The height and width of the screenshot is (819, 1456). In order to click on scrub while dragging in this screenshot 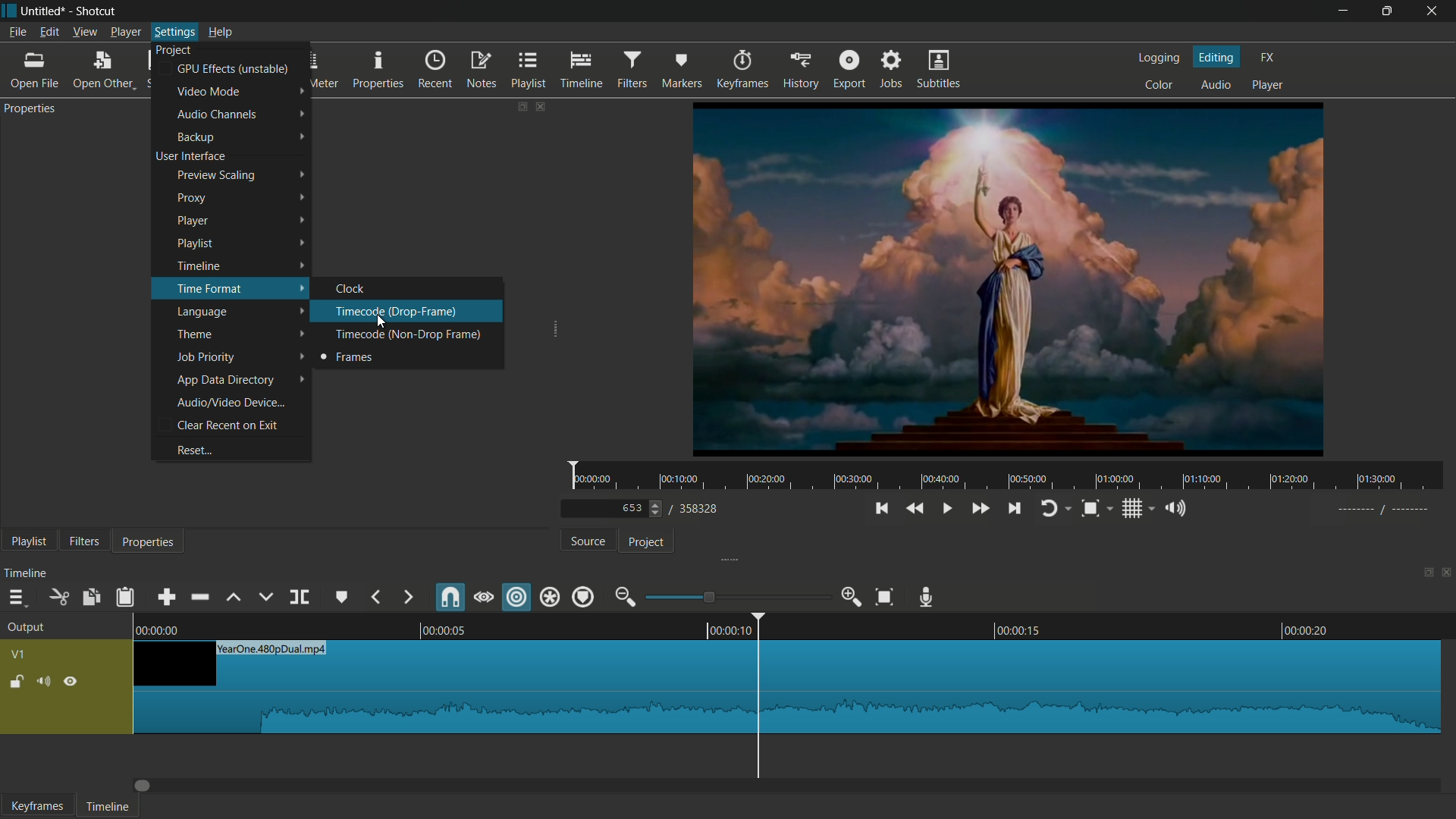, I will do `click(484, 597)`.